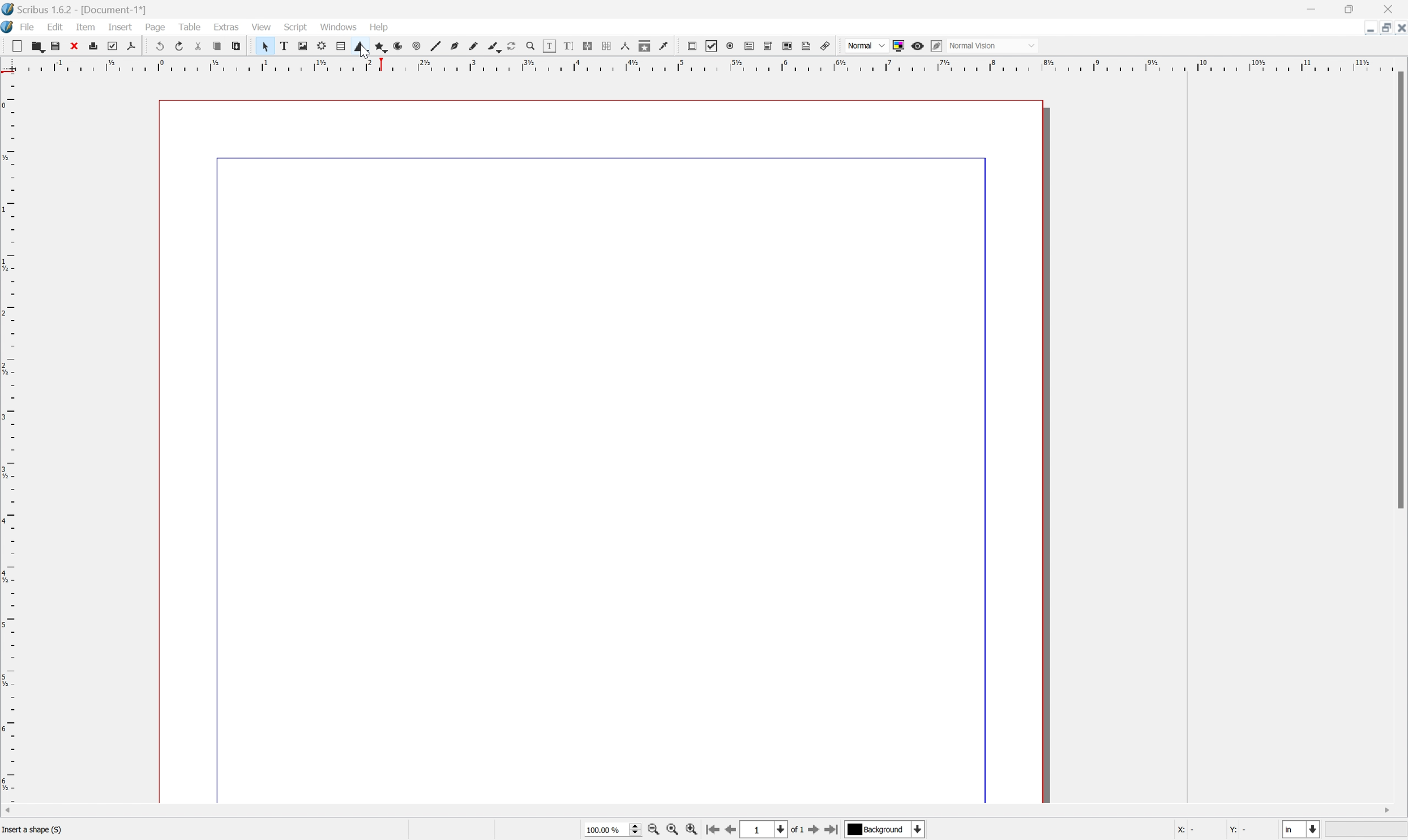 Image resolution: width=1408 pixels, height=840 pixels. Describe the element at coordinates (712, 44) in the screenshot. I see `PDF checkbox` at that location.